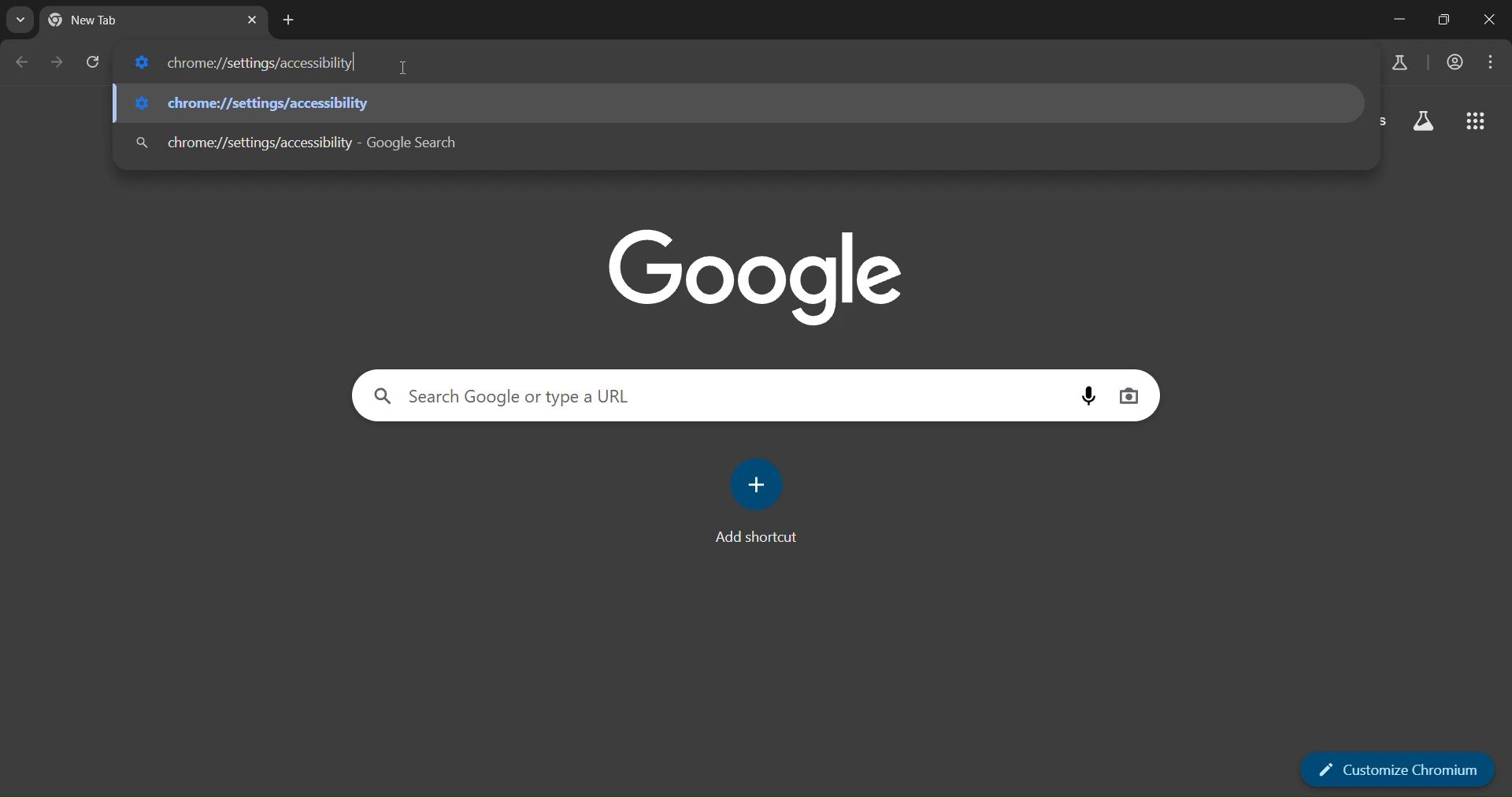 Image resolution: width=1512 pixels, height=797 pixels. What do you see at coordinates (250, 62) in the screenshot?
I see `chrome://settings/accessibility` at bounding box center [250, 62].